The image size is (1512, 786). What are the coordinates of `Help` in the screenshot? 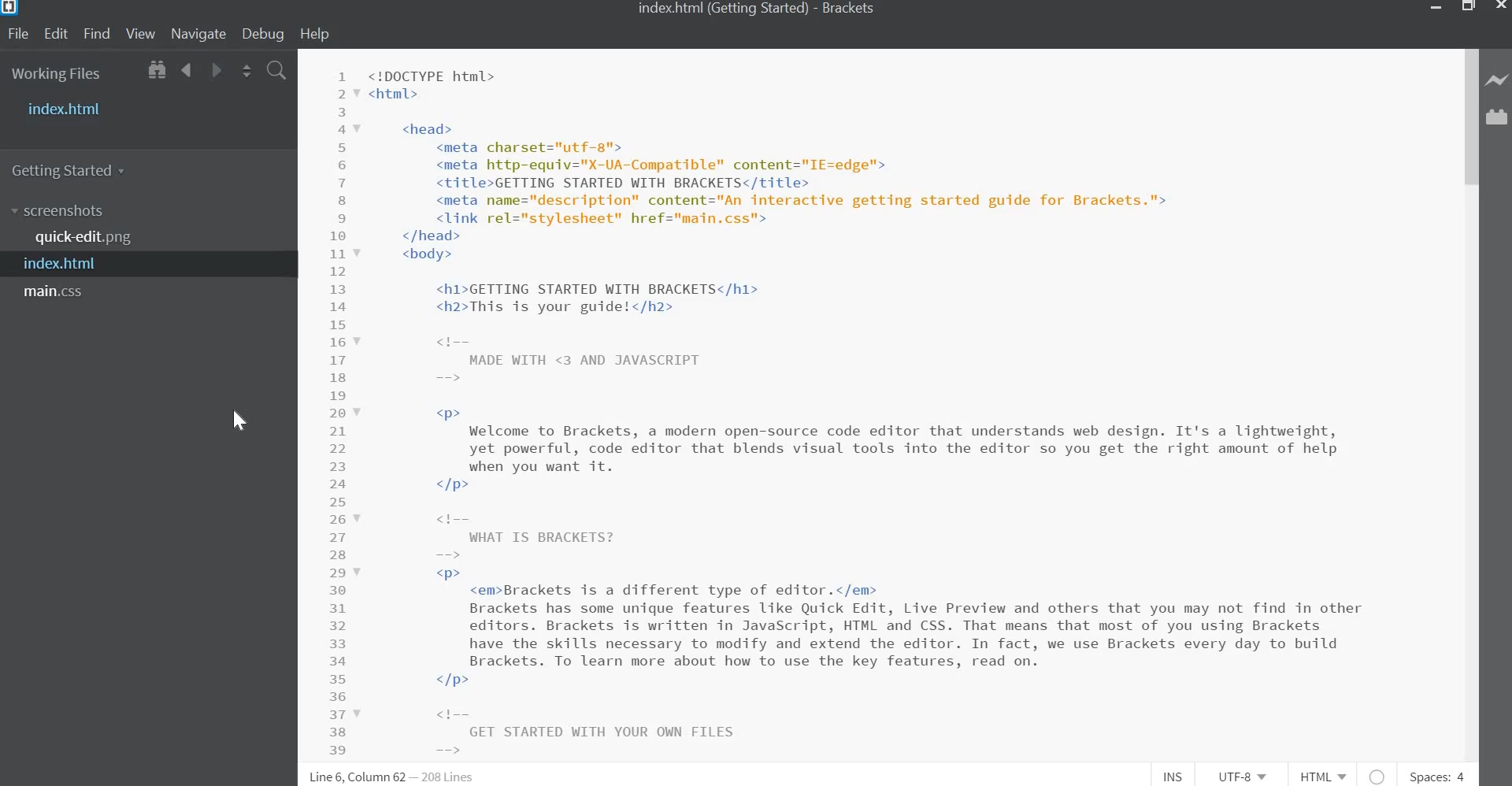 It's located at (320, 34).